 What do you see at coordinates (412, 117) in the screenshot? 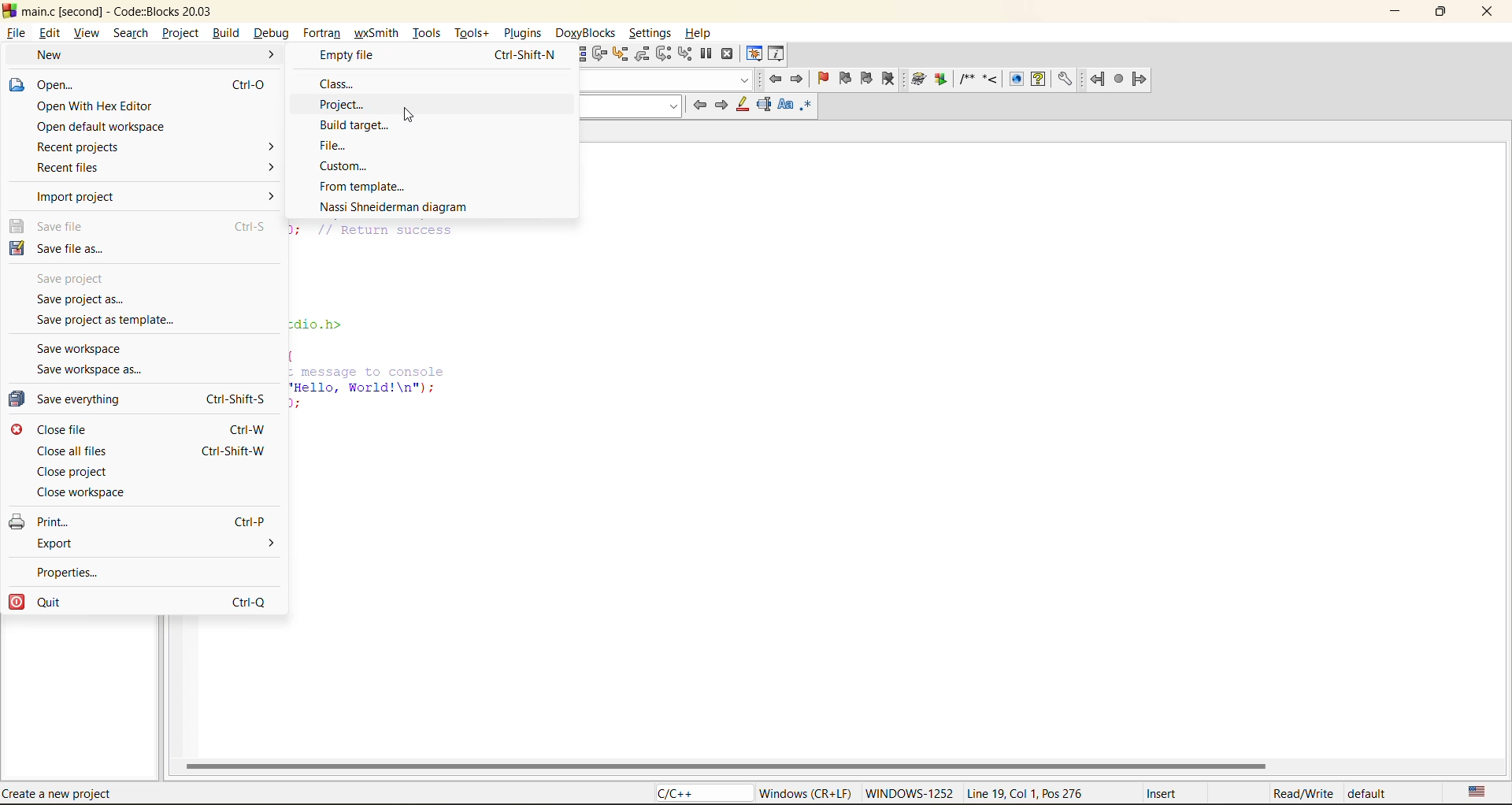
I see `cursor` at bounding box center [412, 117].